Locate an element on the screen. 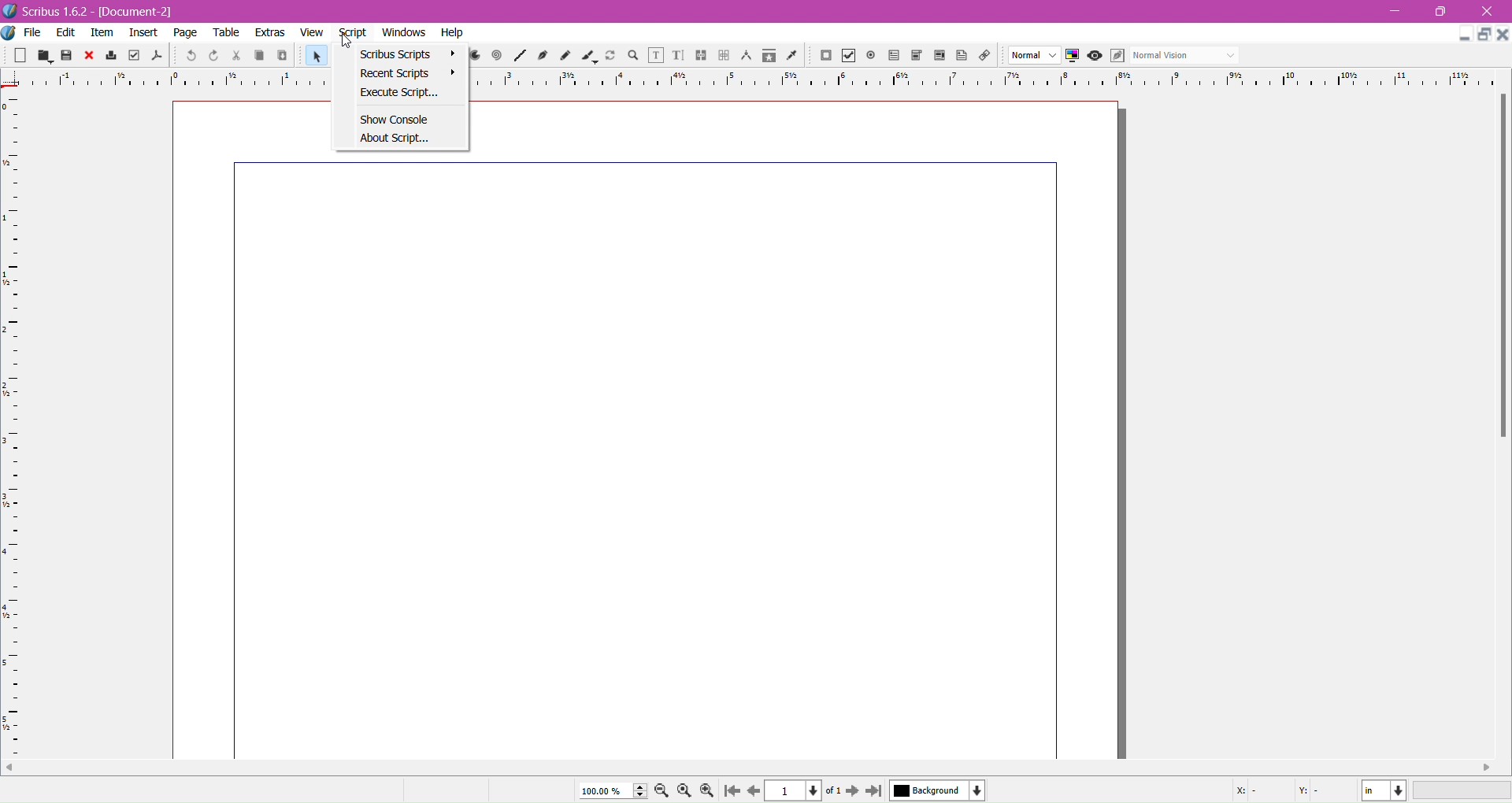 Image resolution: width=1512 pixels, height=803 pixels. Redo is located at coordinates (213, 56).